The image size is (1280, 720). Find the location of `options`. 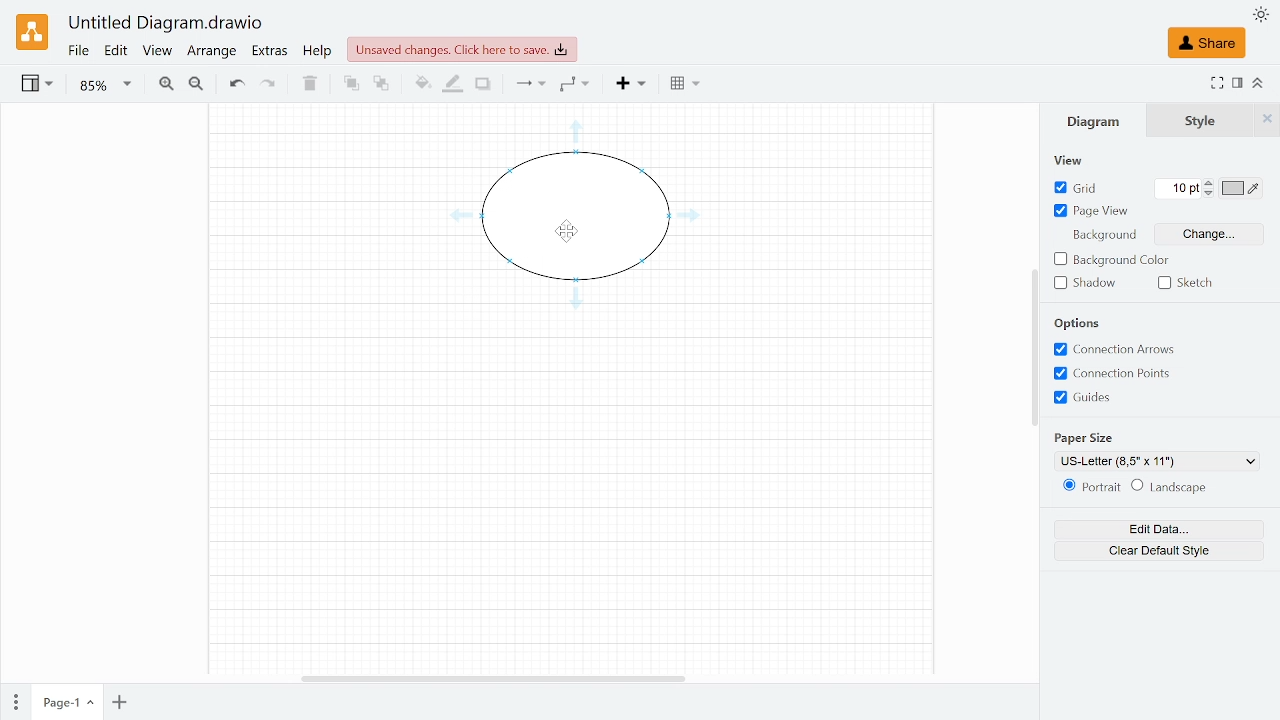

options is located at coordinates (1078, 324).